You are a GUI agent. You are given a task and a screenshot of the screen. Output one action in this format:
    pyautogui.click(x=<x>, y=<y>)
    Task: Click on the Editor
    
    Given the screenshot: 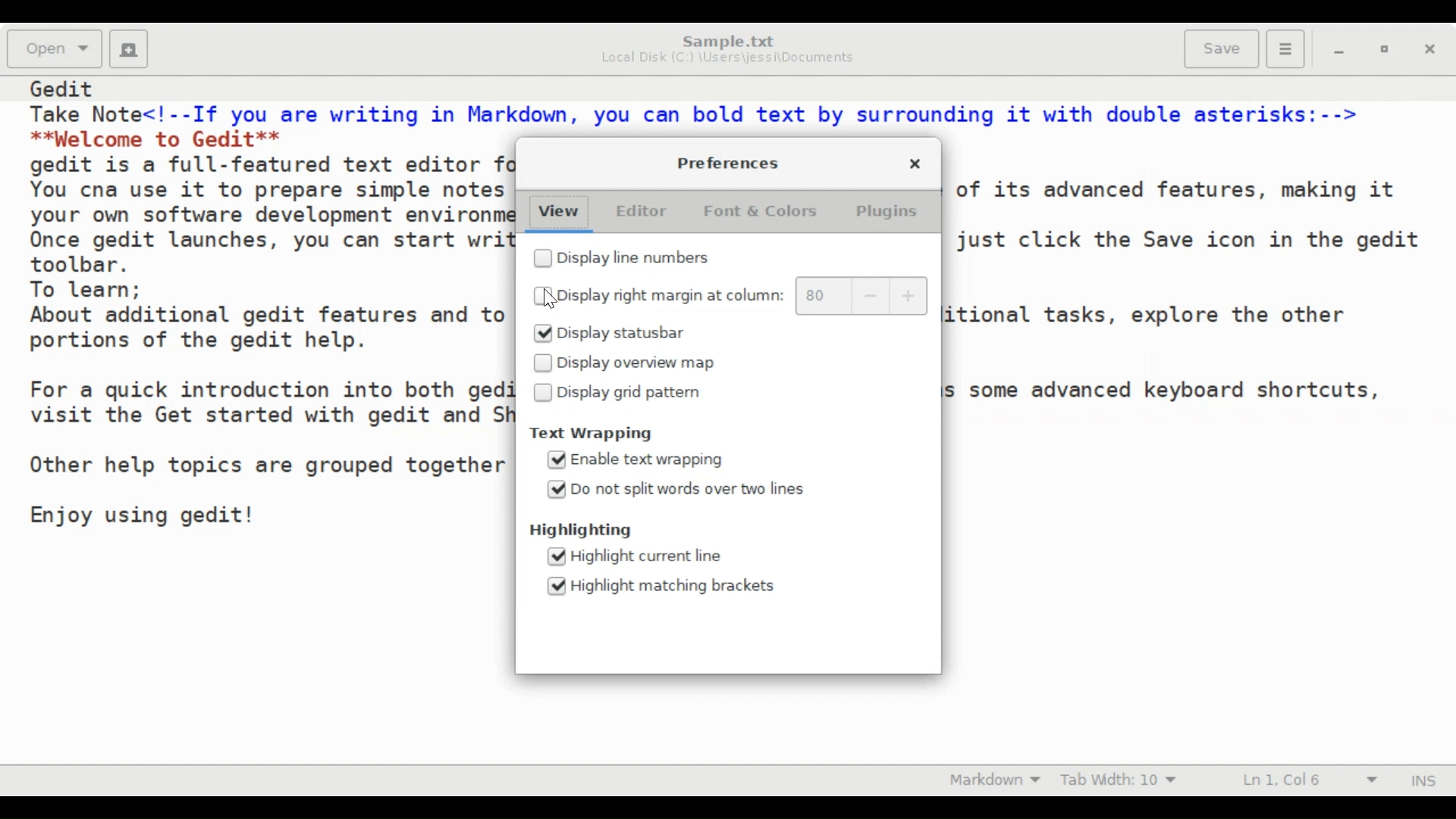 What is the action you would take?
    pyautogui.click(x=641, y=210)
    